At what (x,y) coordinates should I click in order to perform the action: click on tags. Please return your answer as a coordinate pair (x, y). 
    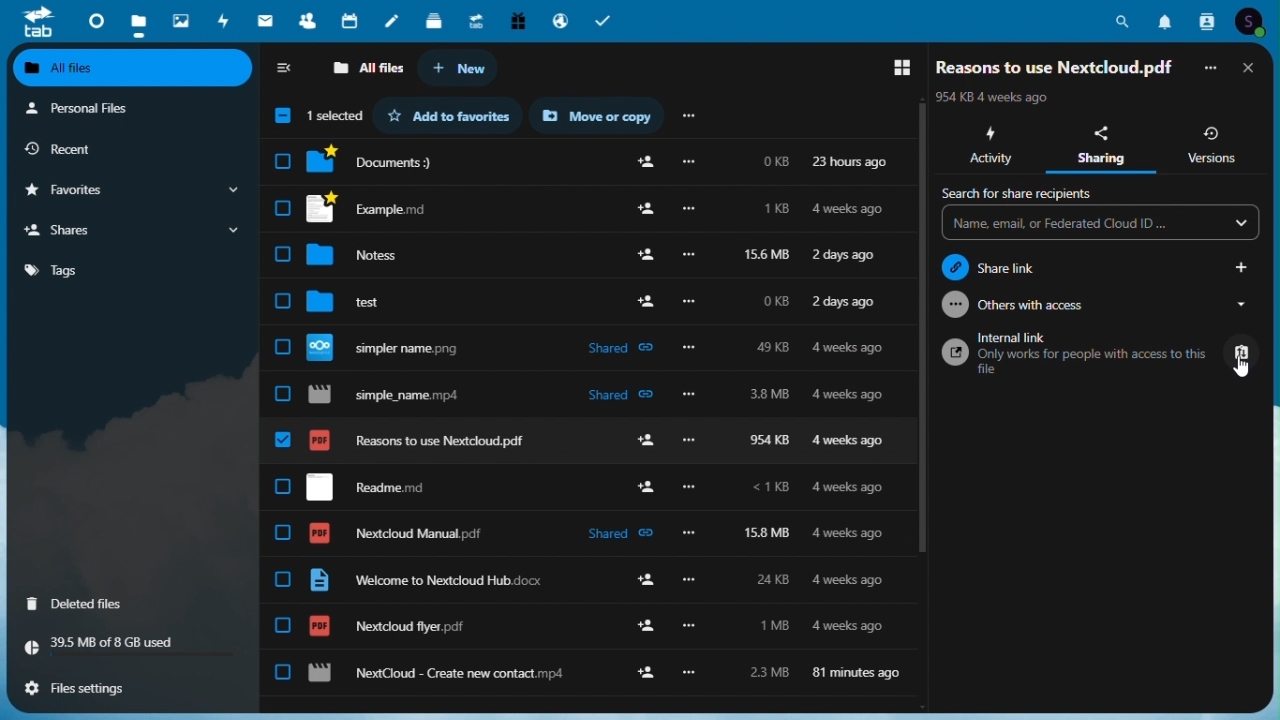
    Looking at the image, I should click on (134, 268).